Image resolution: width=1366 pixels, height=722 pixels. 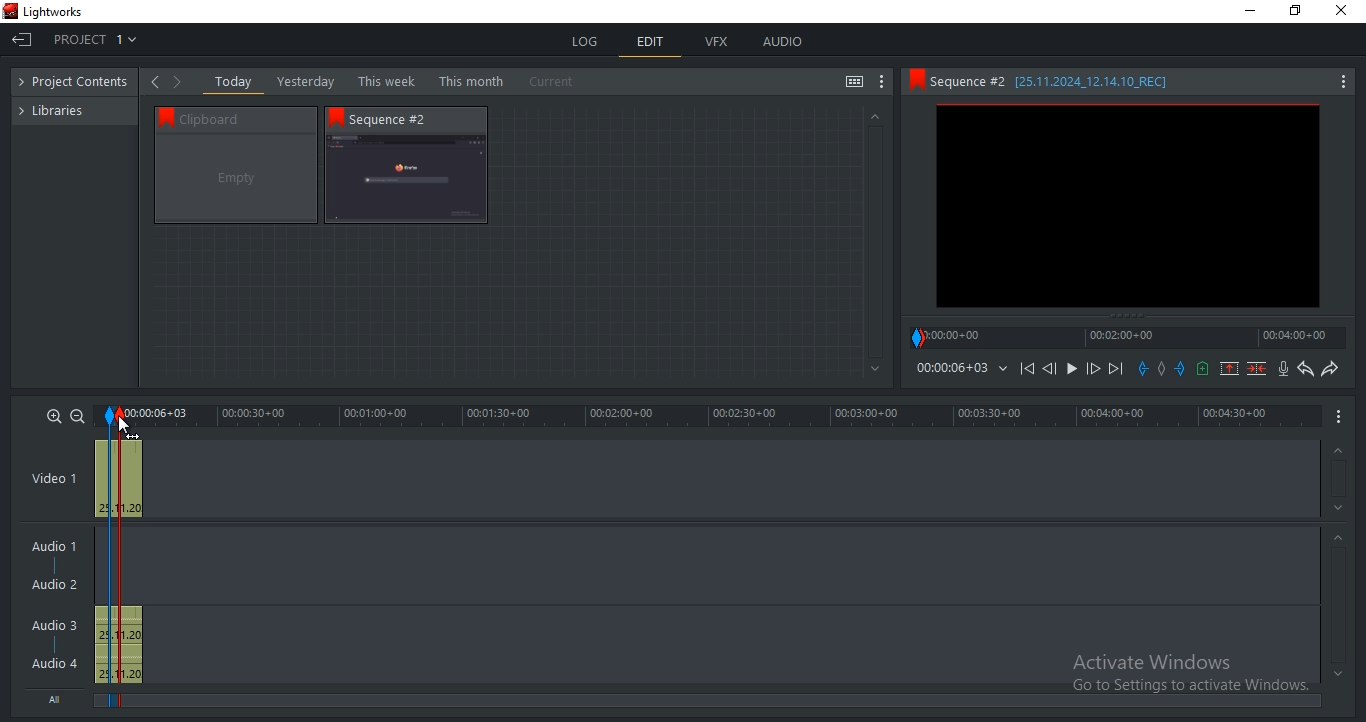 What do you see at coordinates (95, 39) in the screenshot?
I see `project 1: drop down` at bounding box center [95, 39].